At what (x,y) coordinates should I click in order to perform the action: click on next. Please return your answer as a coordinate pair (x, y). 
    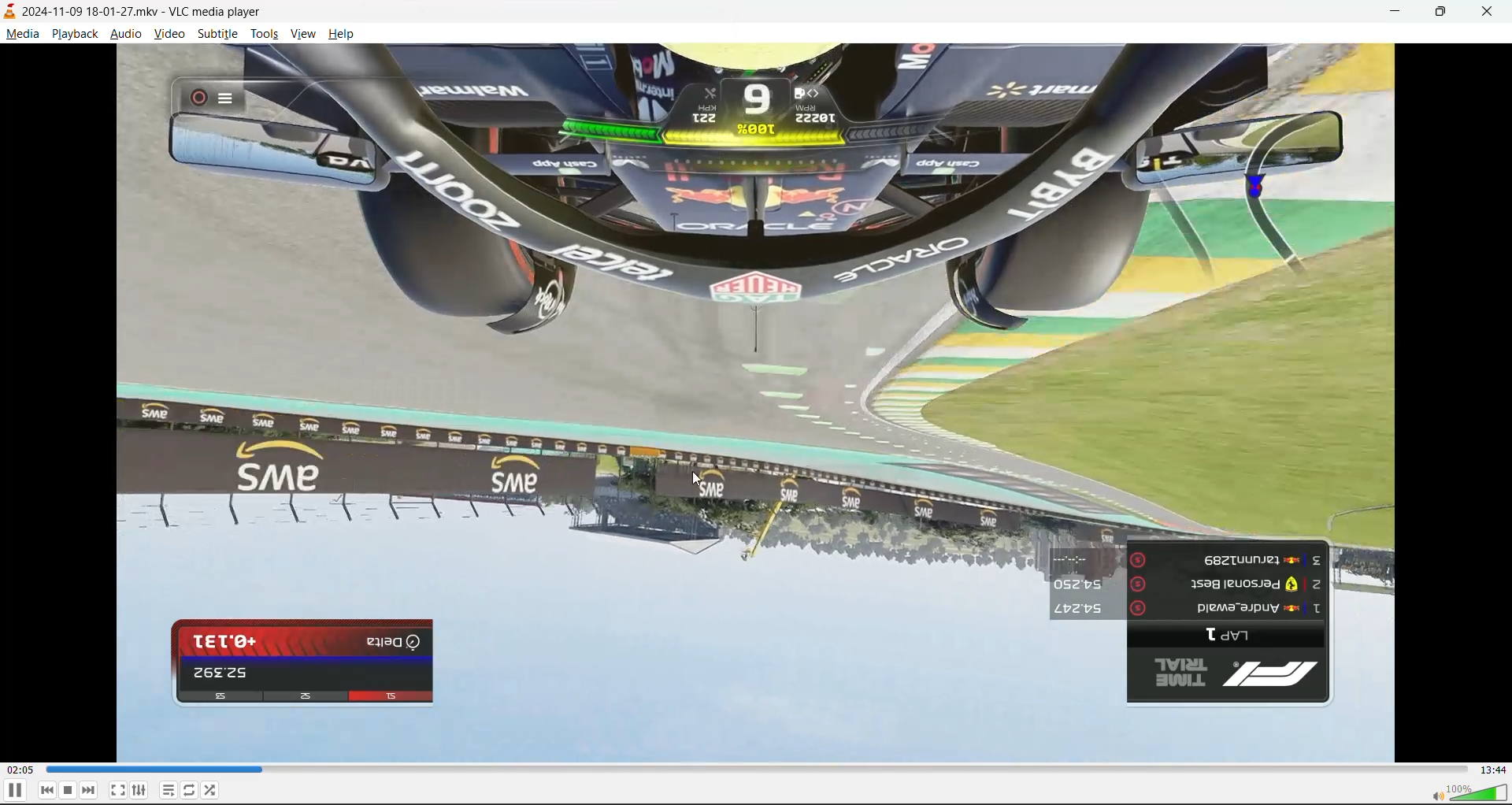
    Looking at the image, I should click on (90, 790).